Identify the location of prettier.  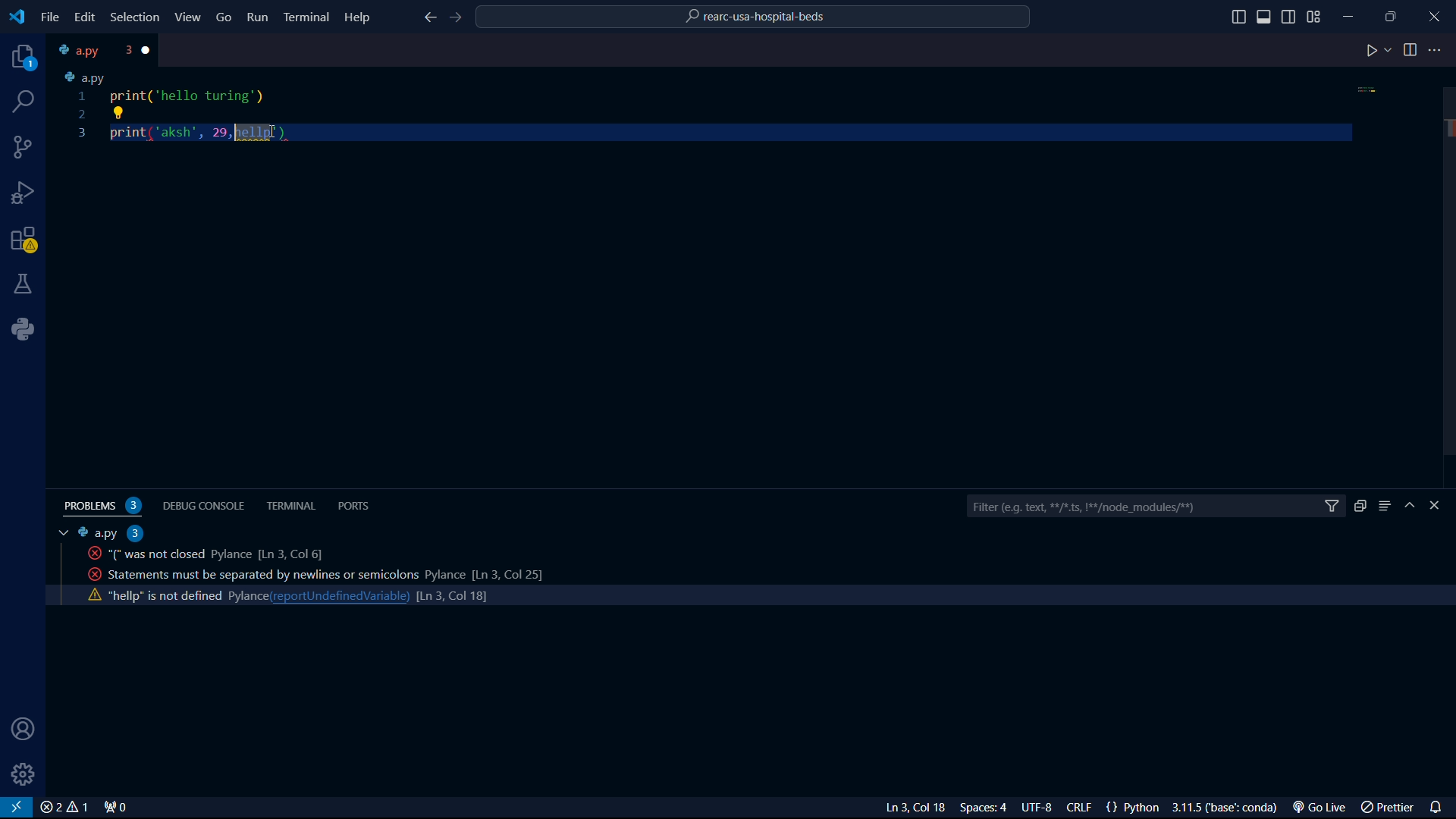
(1389, 808).